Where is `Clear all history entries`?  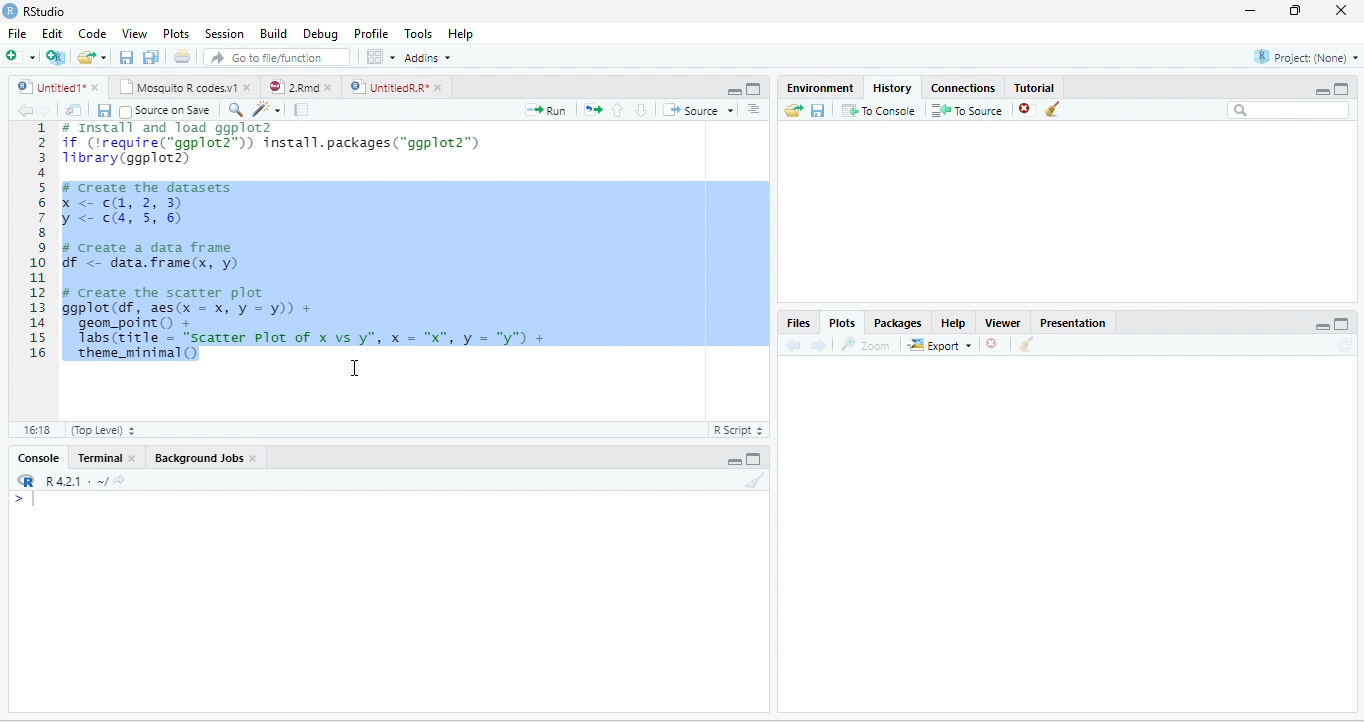
Clear all history entries is located at coordinates (1053, 109).